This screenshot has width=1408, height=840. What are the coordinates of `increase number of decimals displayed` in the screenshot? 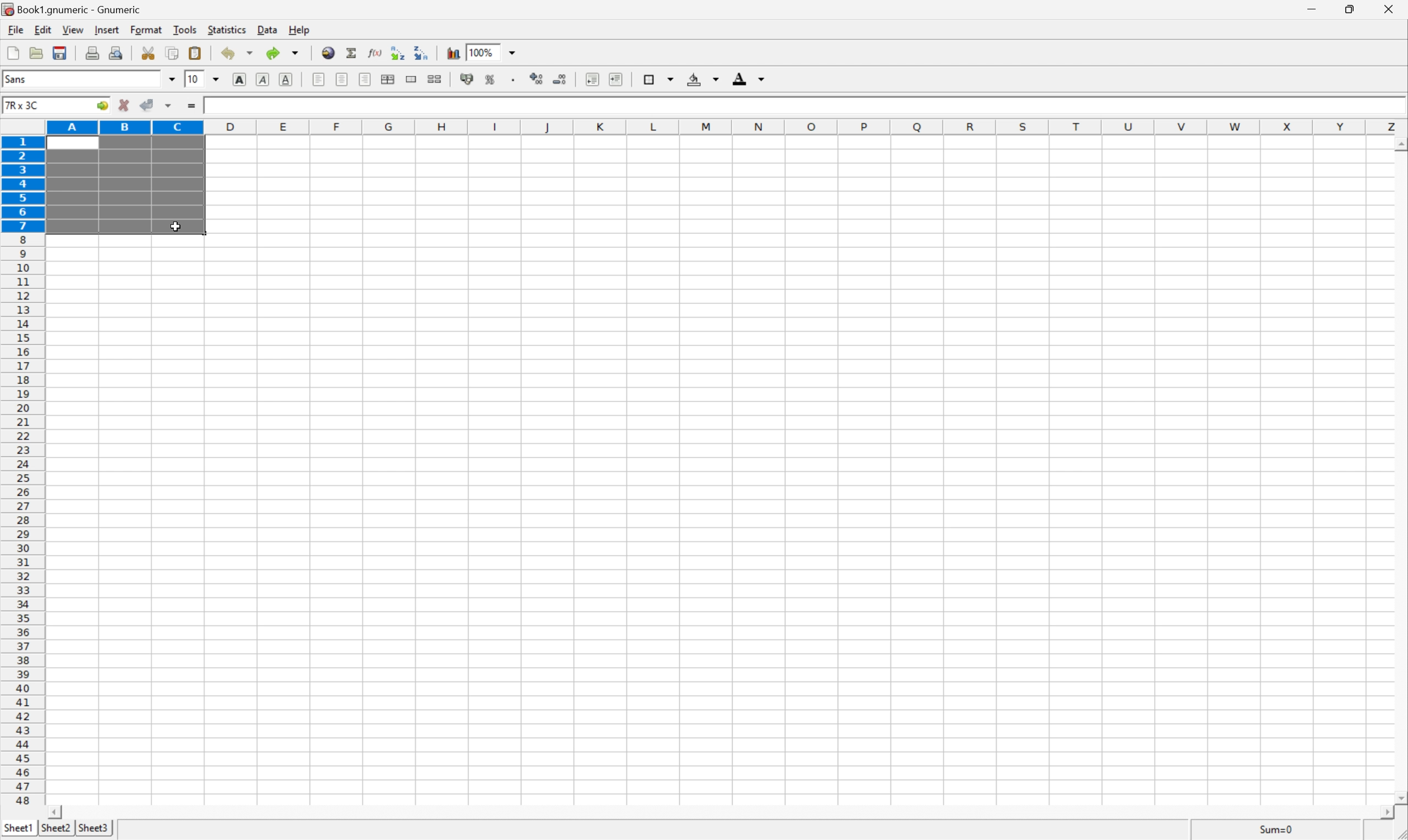 It's located at (538, 79).